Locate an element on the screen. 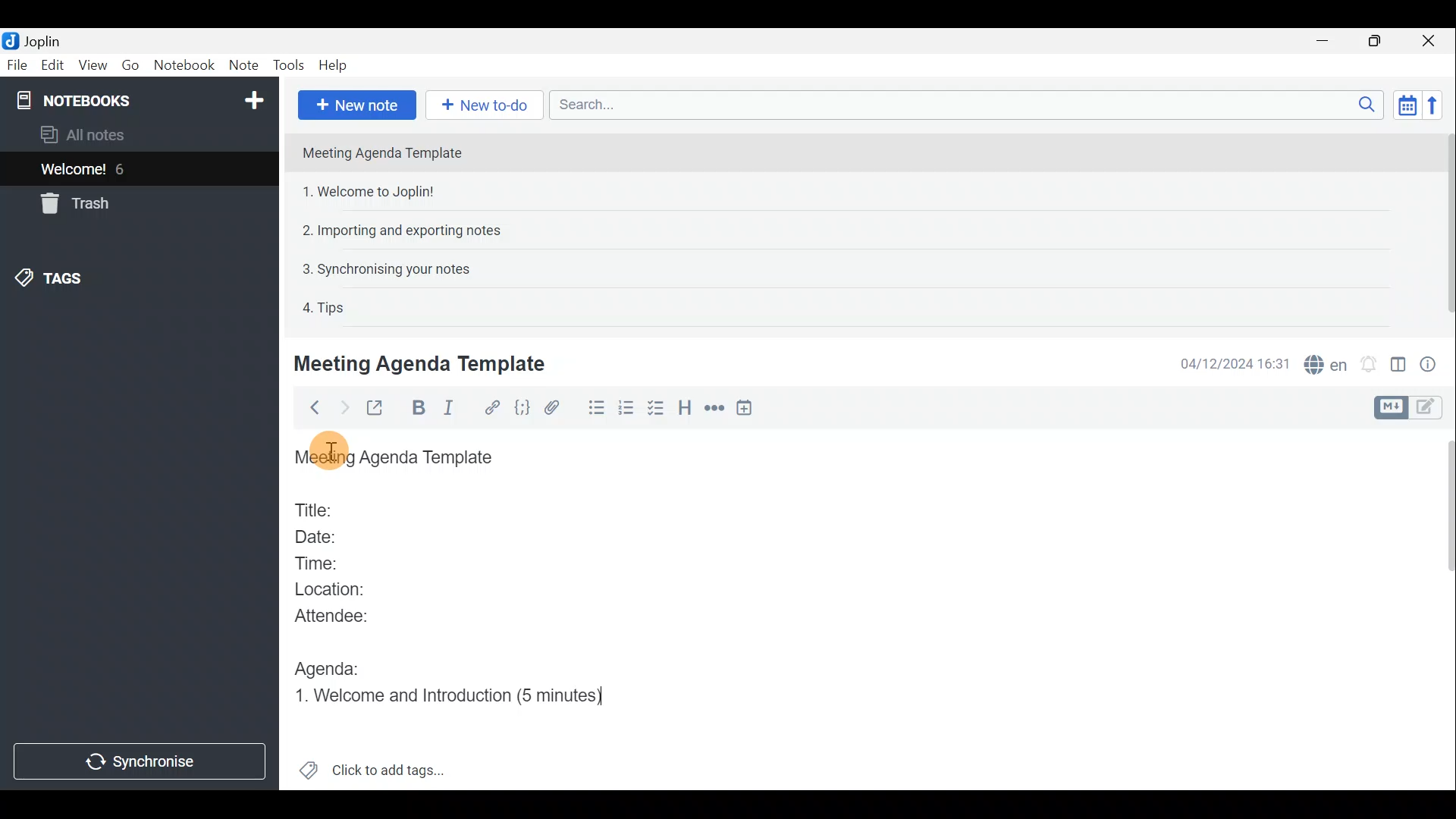 The image size is (1456, 819). Notebooks is located at coordinates (142, 99).